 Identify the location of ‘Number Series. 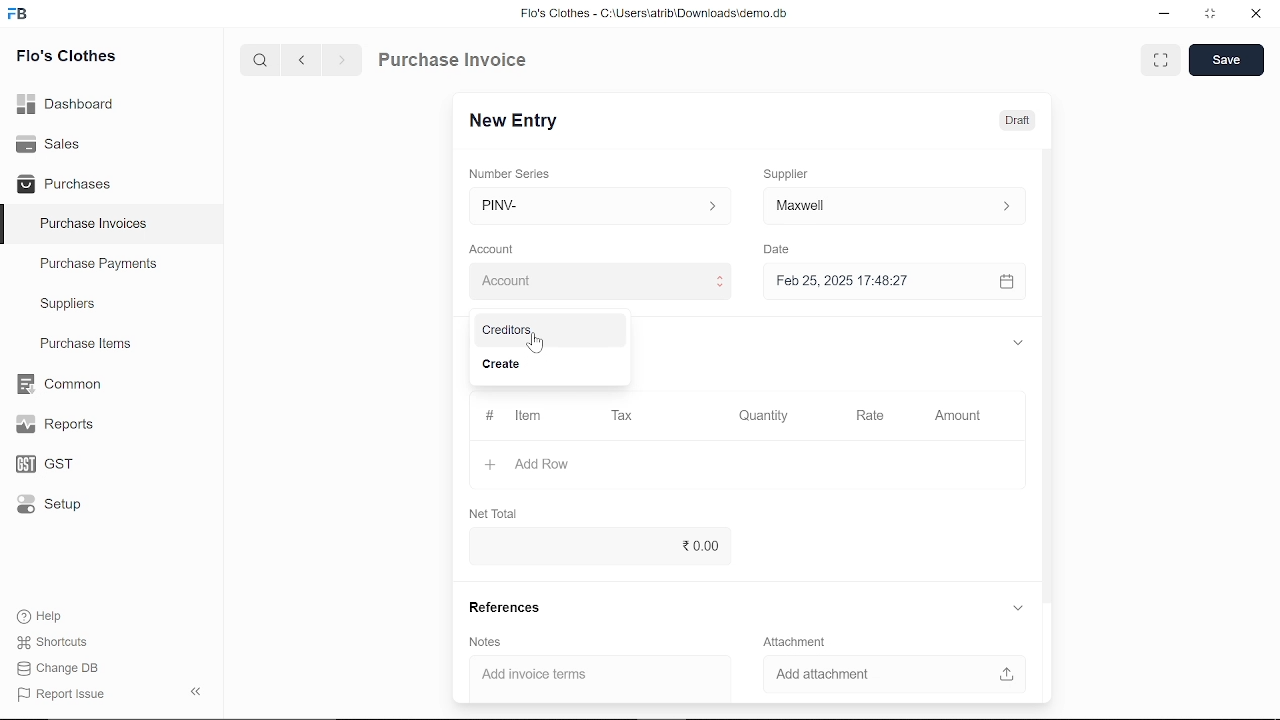
(516, 173).